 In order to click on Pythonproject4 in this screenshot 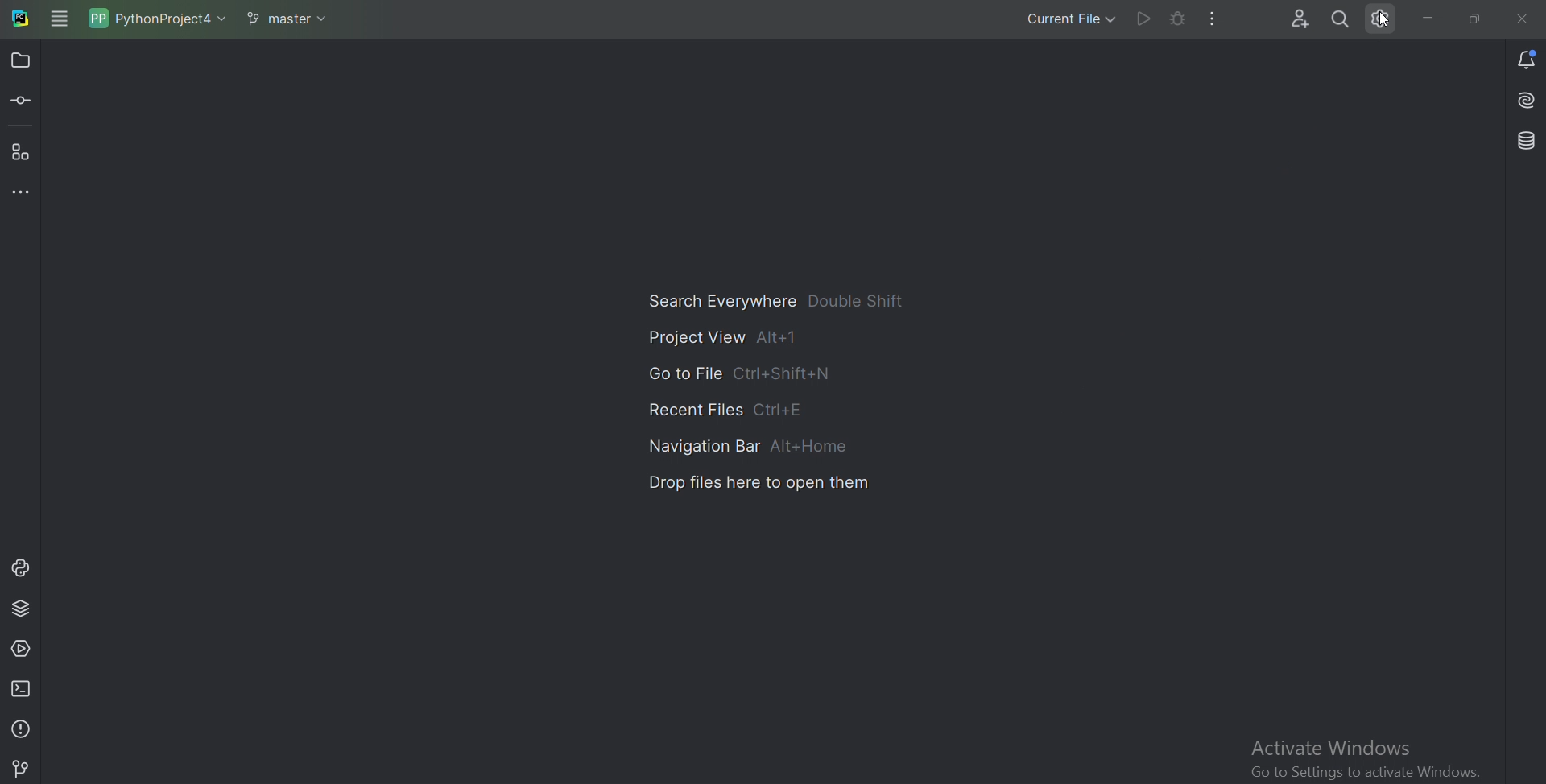, I will do `click(156, 18)`.